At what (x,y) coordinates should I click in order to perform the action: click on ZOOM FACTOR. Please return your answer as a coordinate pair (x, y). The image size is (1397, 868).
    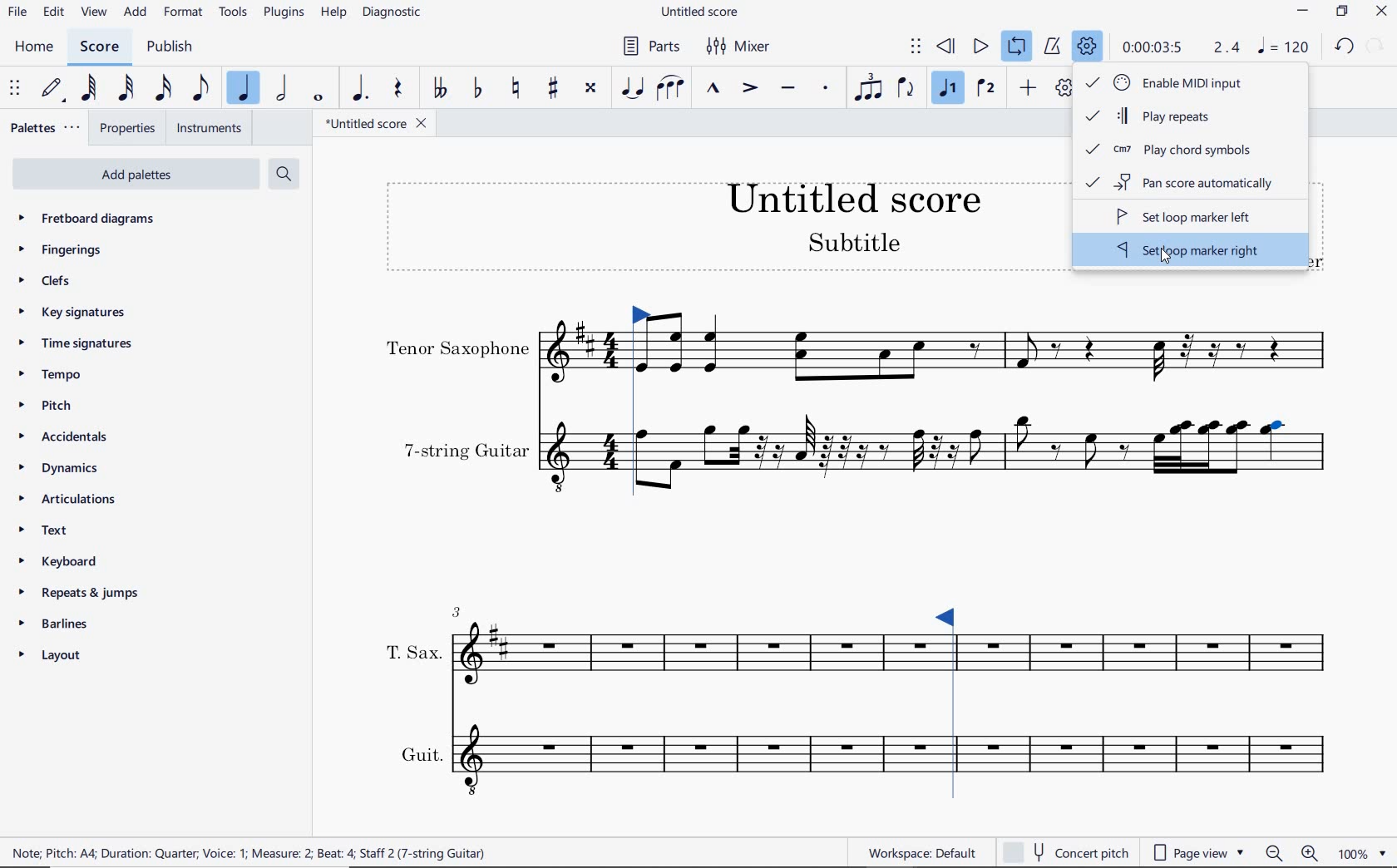
    Looking at the image, I should click on (1364, 856).